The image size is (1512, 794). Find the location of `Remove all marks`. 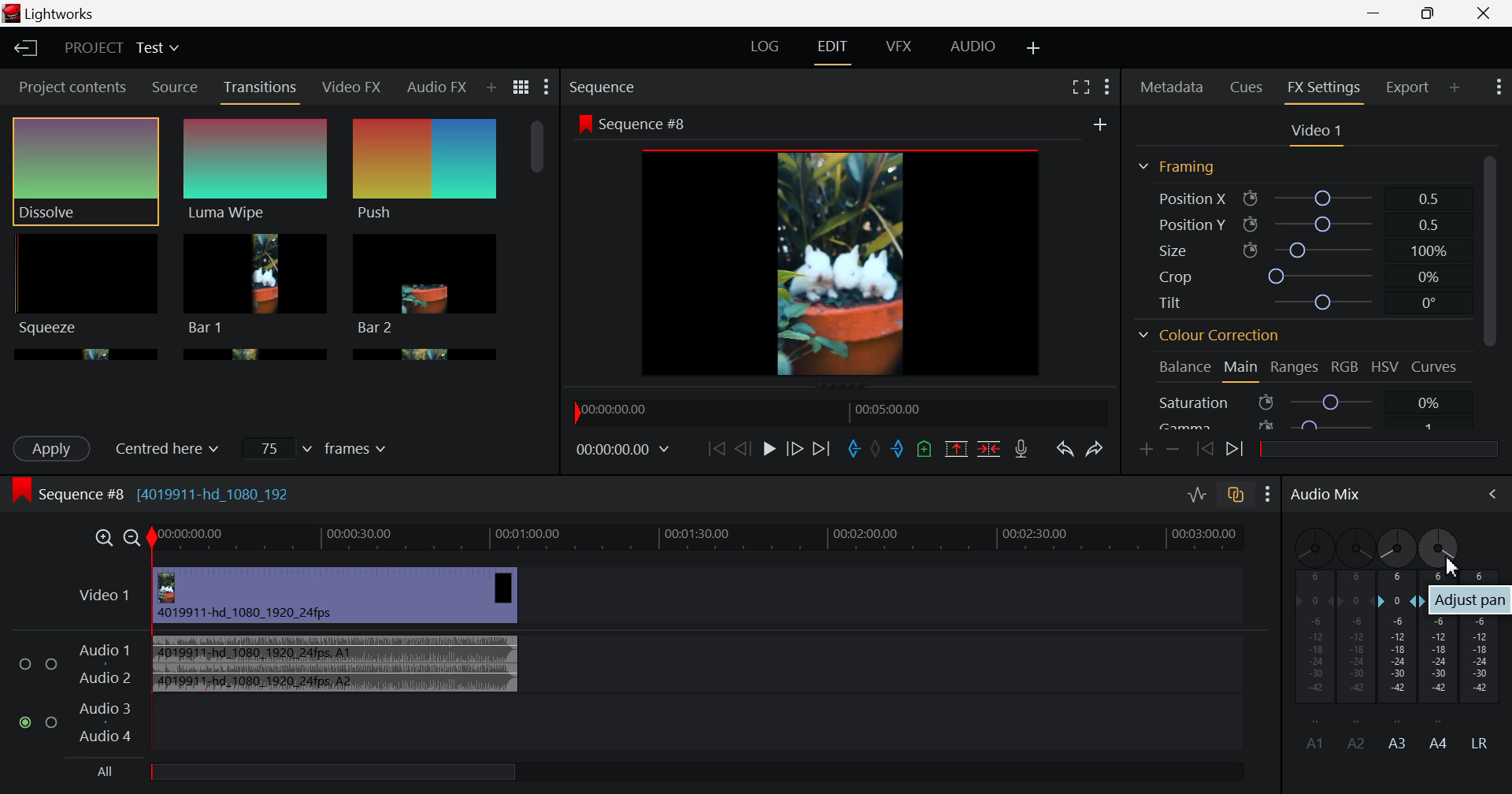

Remove all marks is located at coordinates (875, 449).